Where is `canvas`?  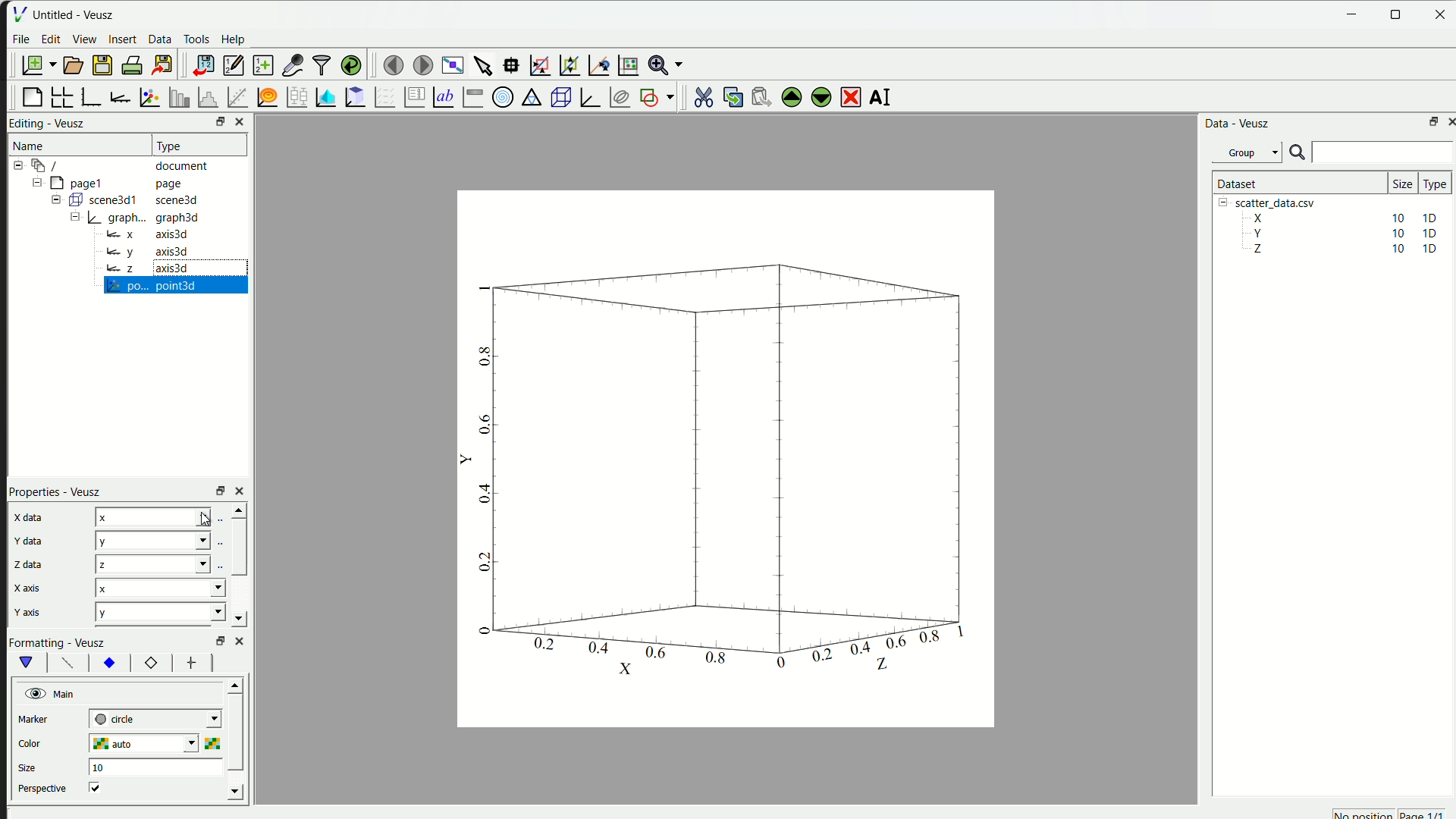 canvas is located at coordinates (723, 461).